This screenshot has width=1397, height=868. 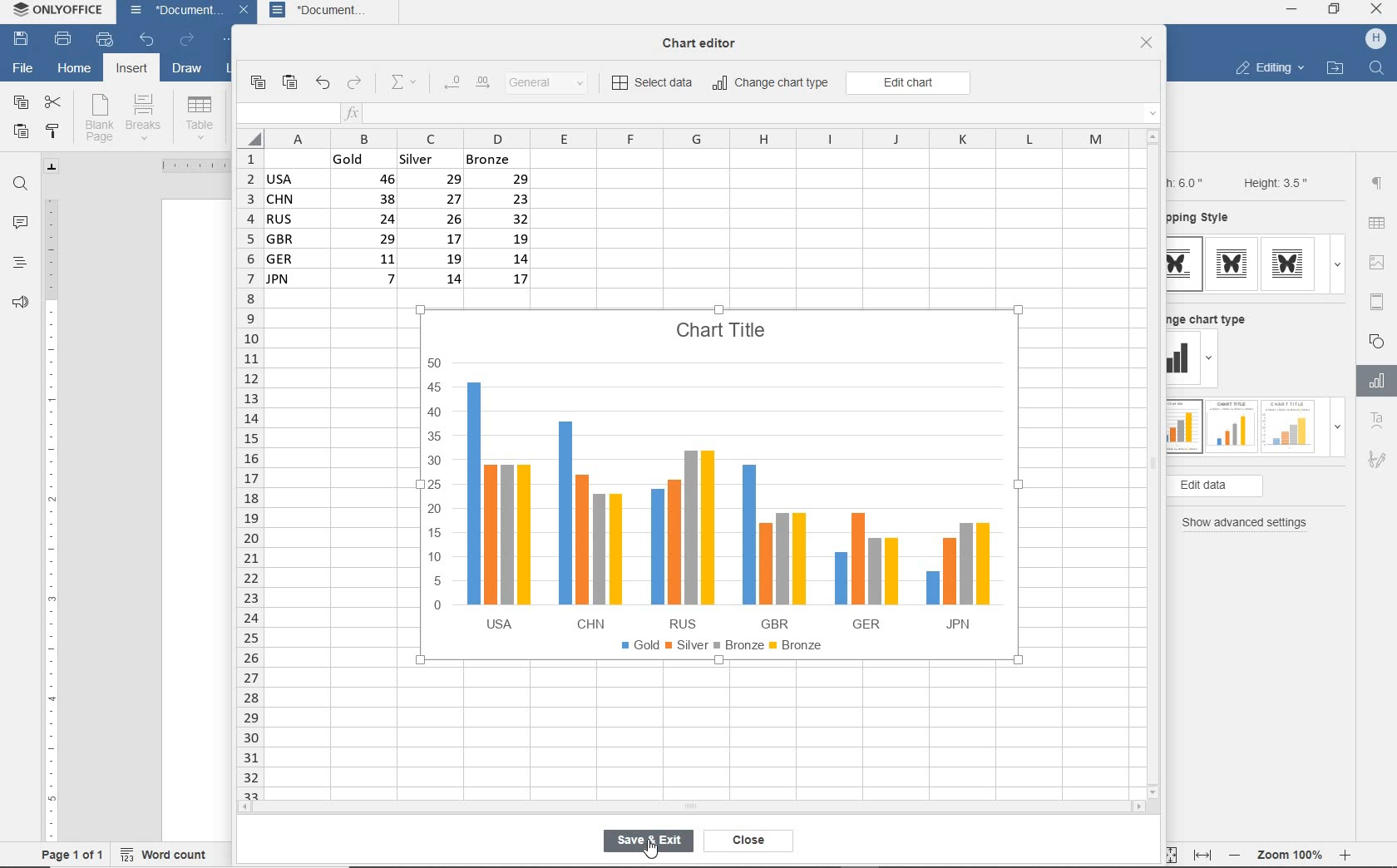 What do you see at coordinates (407, 83) in the screenshot?
I see `summation` at bounding box center [407, 83].